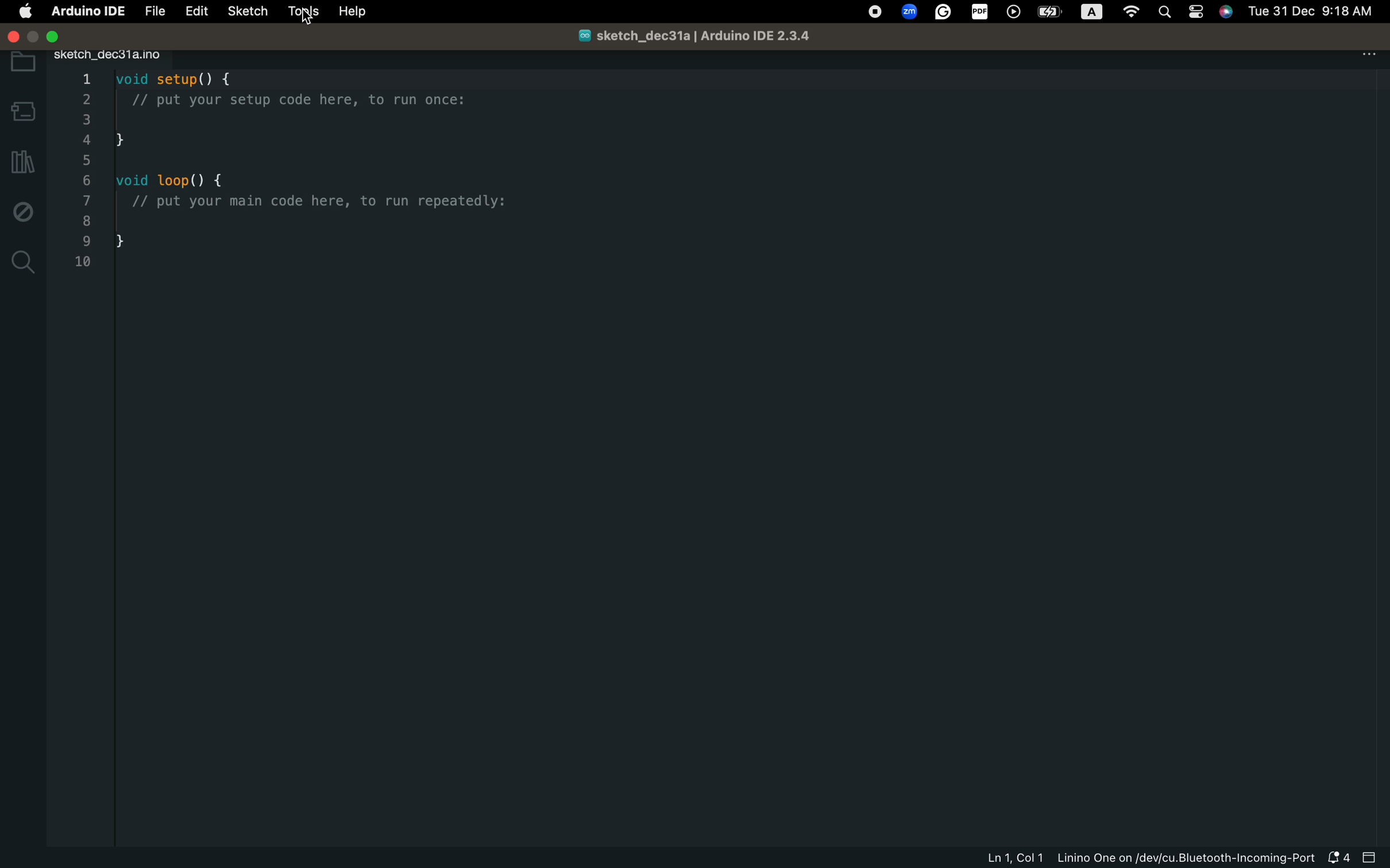 Image resolution: width=1390 pixels, height=868 pixels. What do you see at coordinates (1196, 14) in the screenshot?
I see `controls` at bounding box center [1196, 14].